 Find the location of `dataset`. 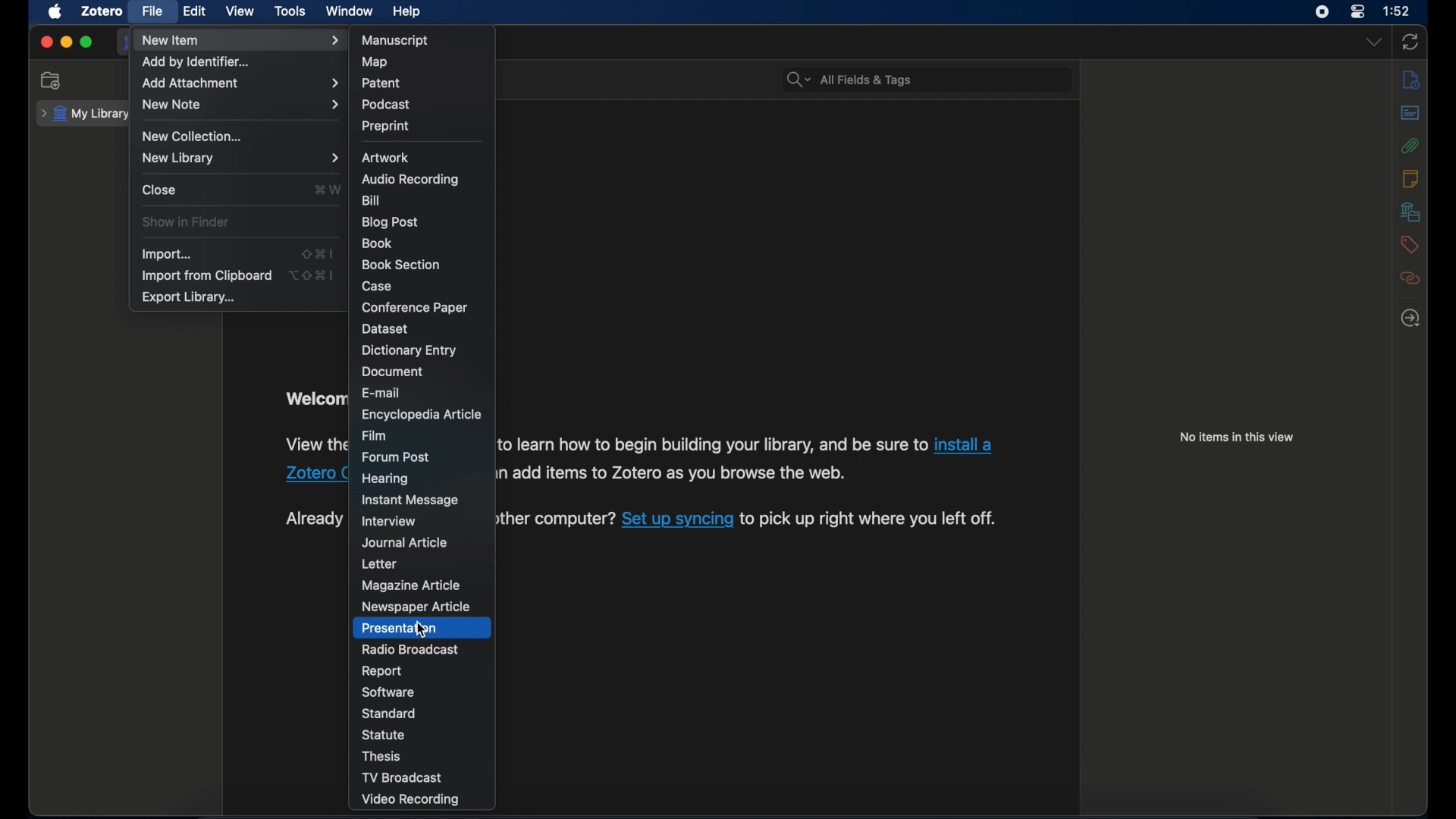

dataset is located at coordinates (388, 329).